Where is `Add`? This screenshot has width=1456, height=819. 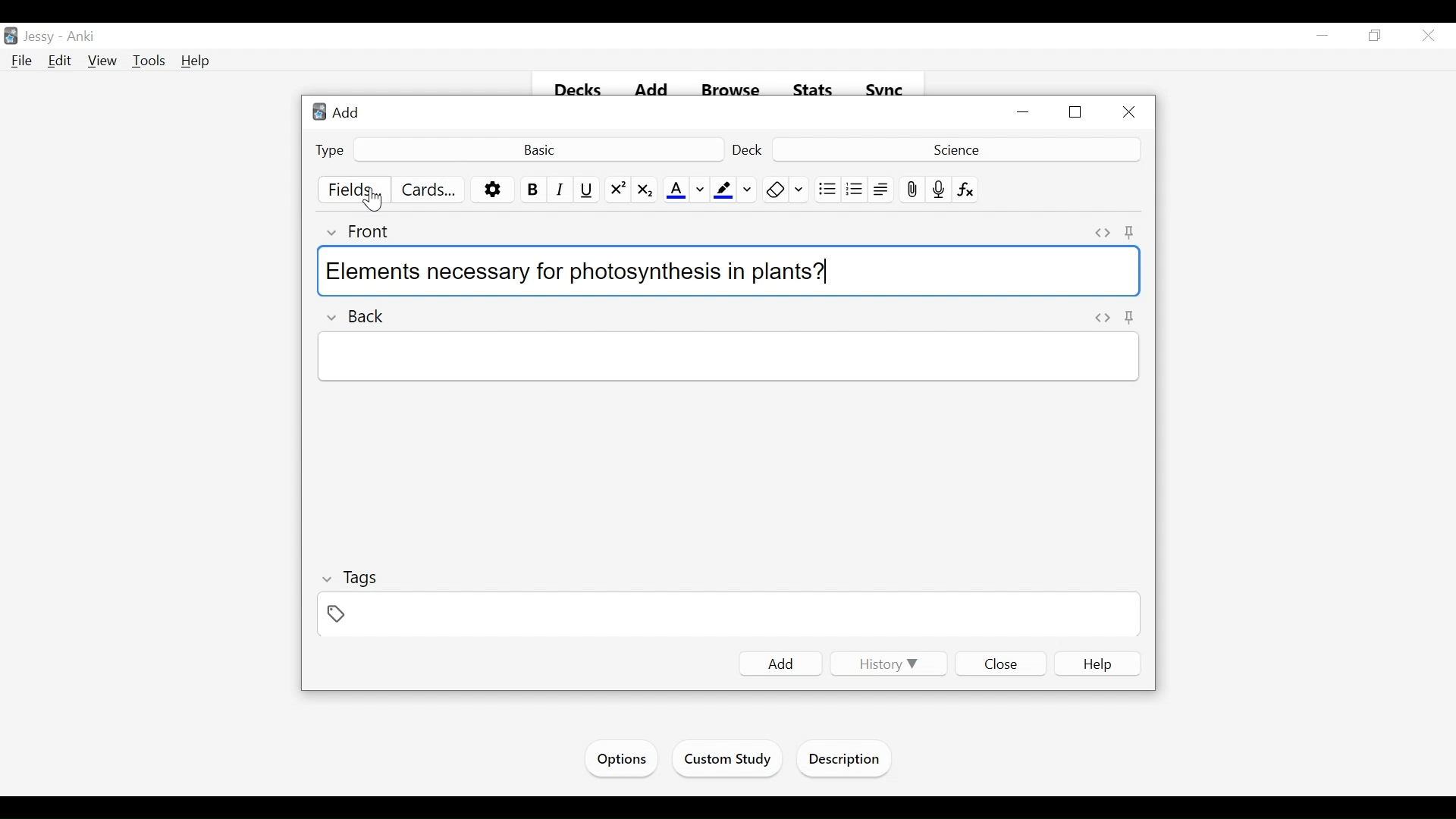
Add is located at coordinates (654, 91).